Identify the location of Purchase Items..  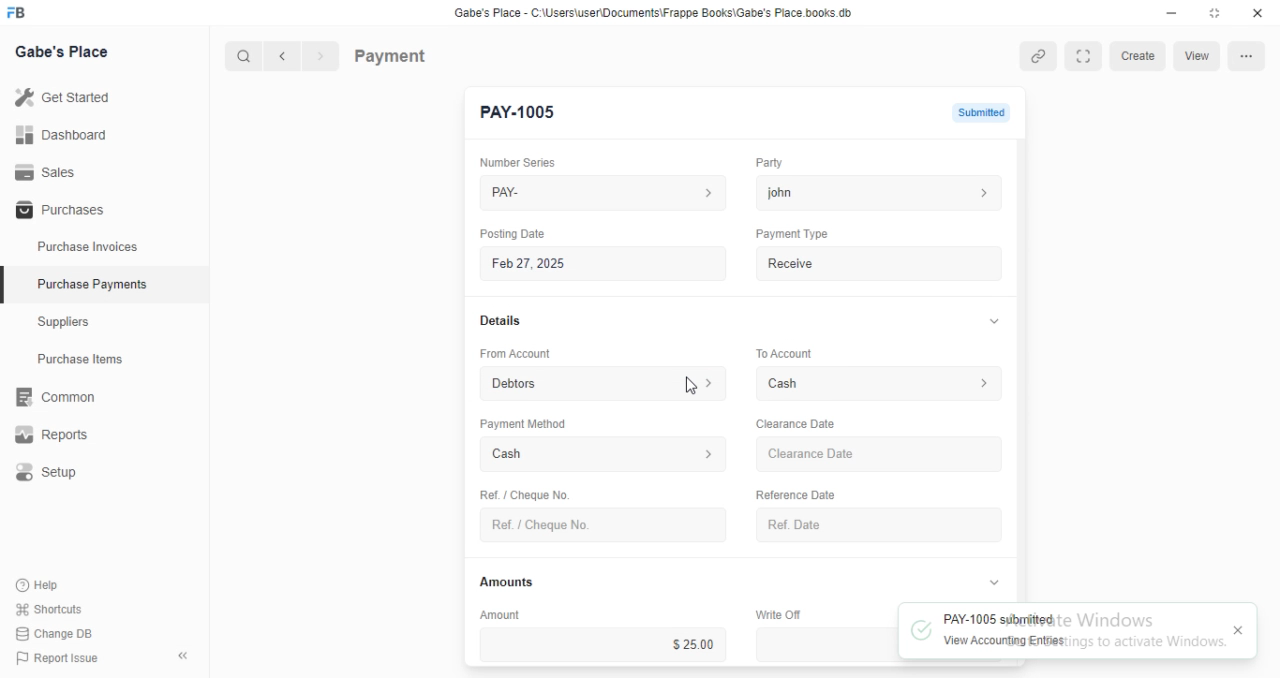
(87, 361).